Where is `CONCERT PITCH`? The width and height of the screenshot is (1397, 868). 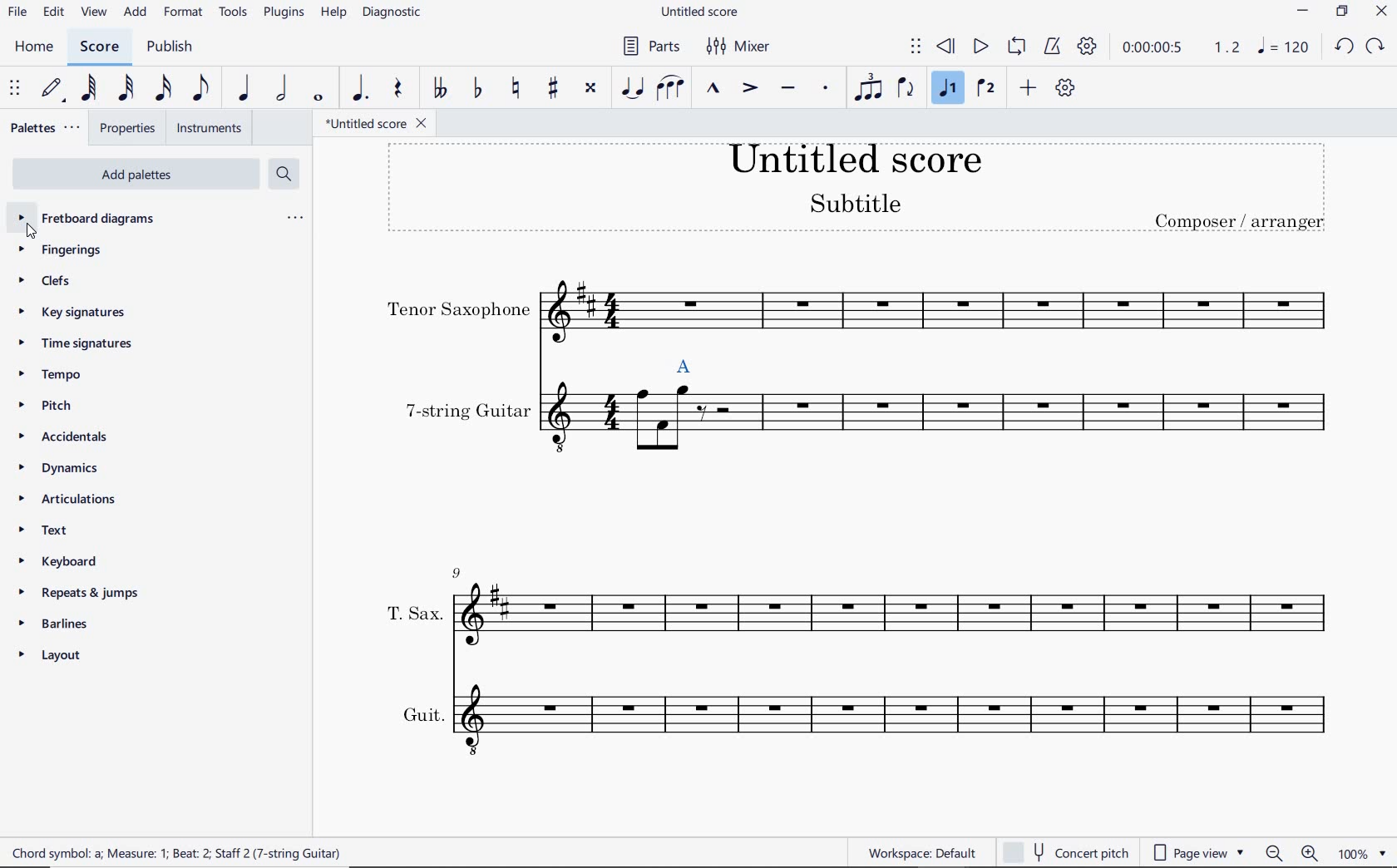 CONCERT PITCH is located at coordinates (1067, 851).